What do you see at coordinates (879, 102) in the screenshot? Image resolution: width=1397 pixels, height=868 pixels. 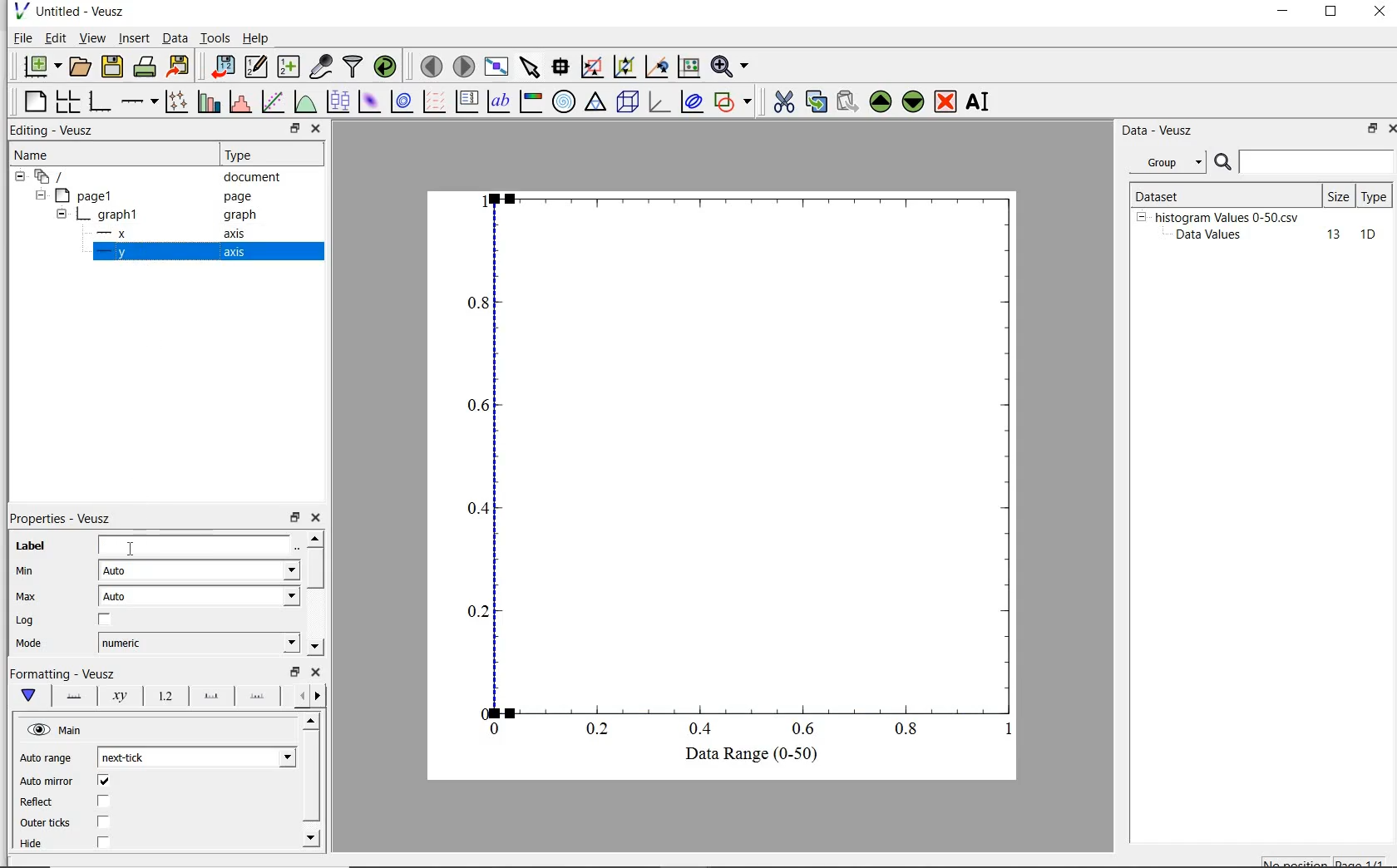 I see `move up the selected widget` at bounding box center [879, 102].